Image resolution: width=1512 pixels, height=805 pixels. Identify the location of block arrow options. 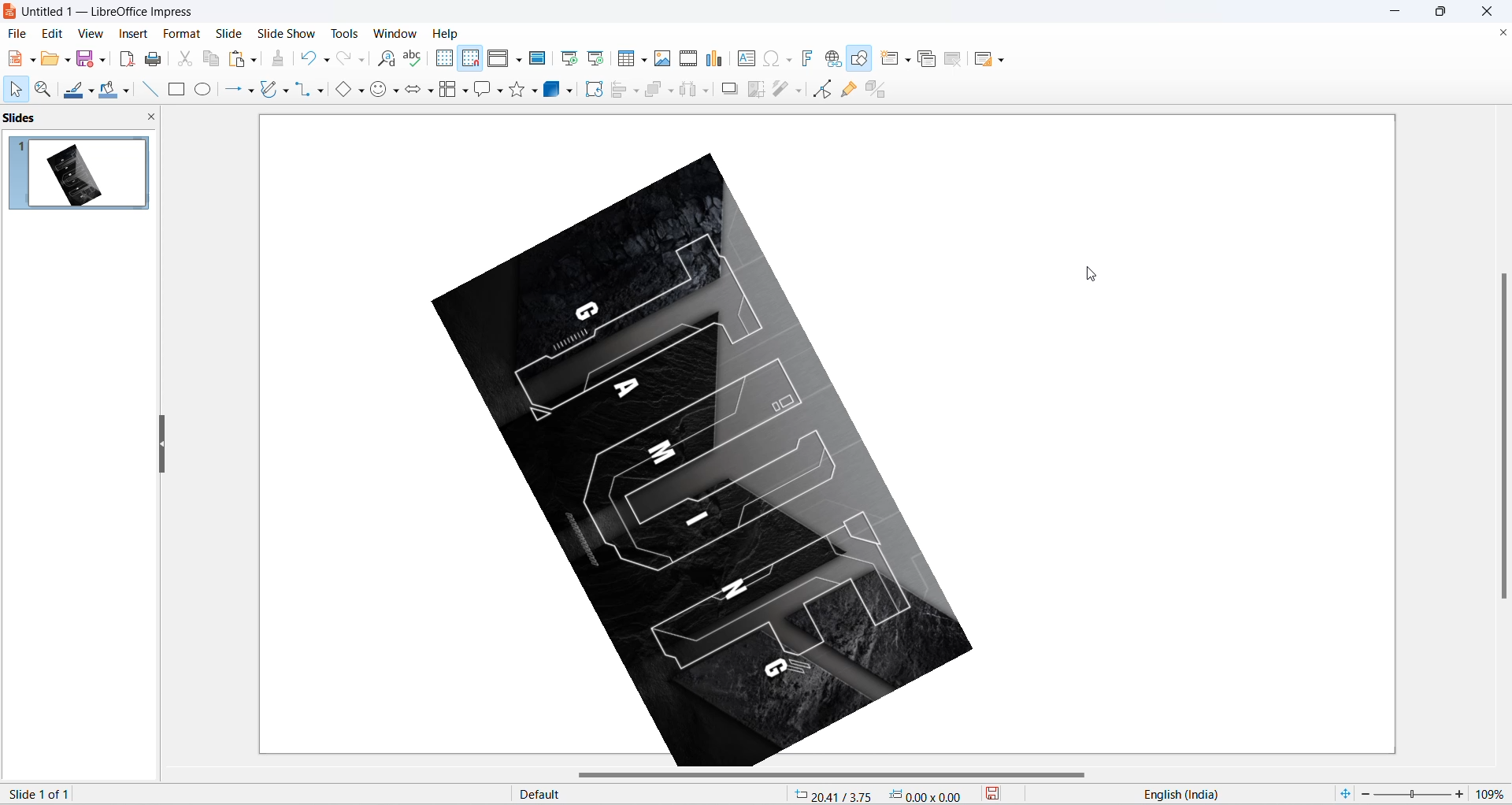
(431, 92).